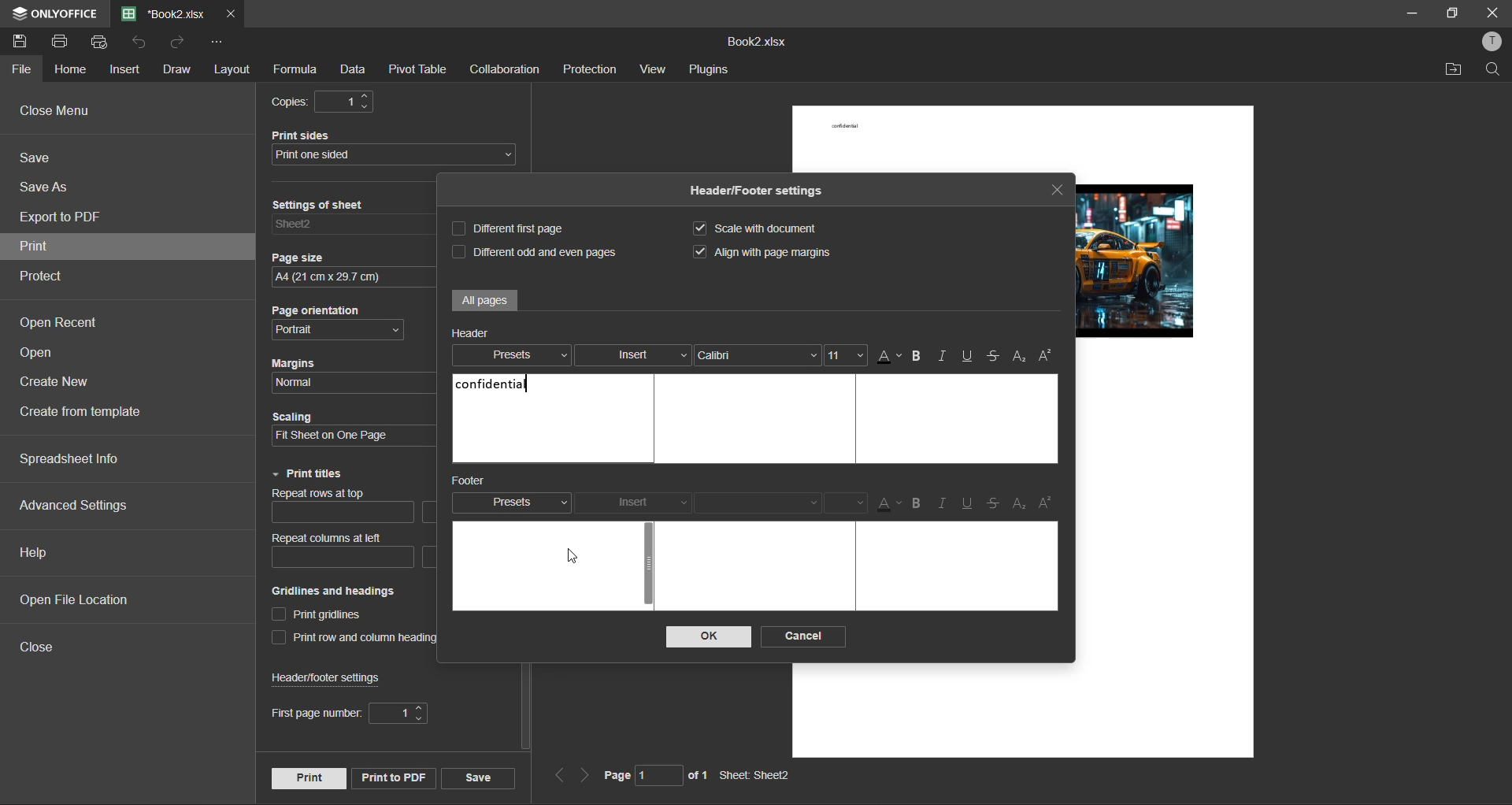 The height and width of the screenshot is (805, 1512). Describe the element at coordinates (654, 69) in the screenshot. I see `view` at that location.